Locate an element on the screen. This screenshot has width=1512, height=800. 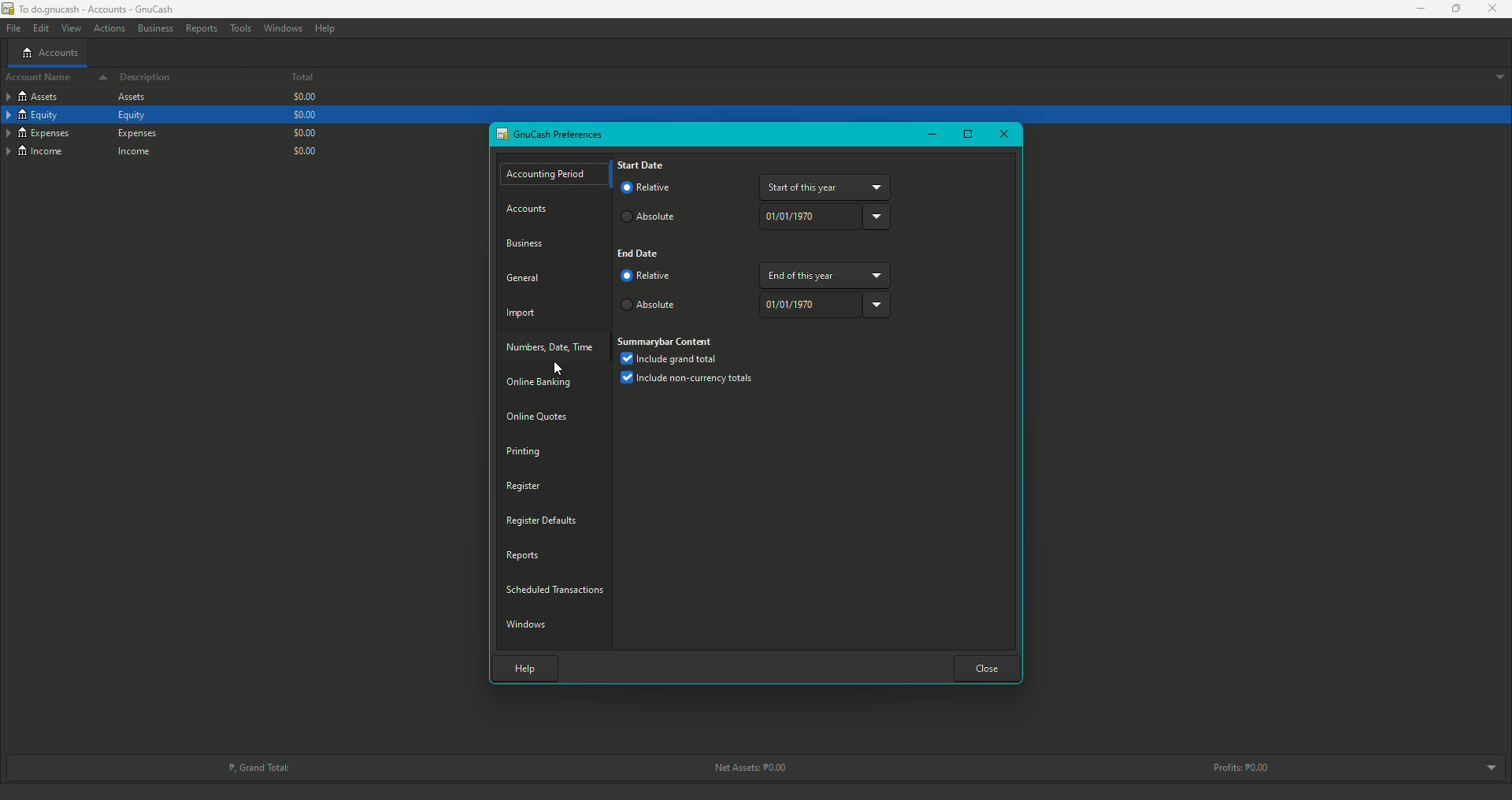
Relative is located at coordinates (647, 277).